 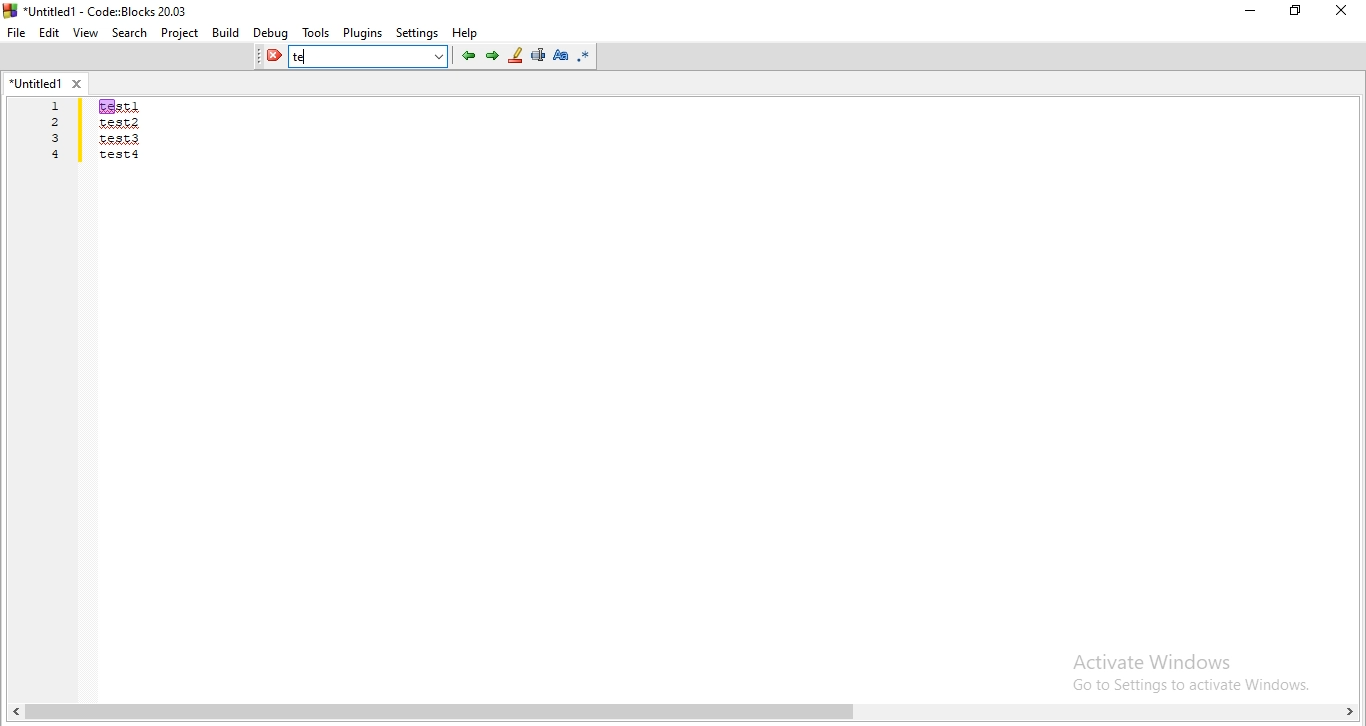 I want to click on test 1(highlighted te), so click(x=121, y=106).